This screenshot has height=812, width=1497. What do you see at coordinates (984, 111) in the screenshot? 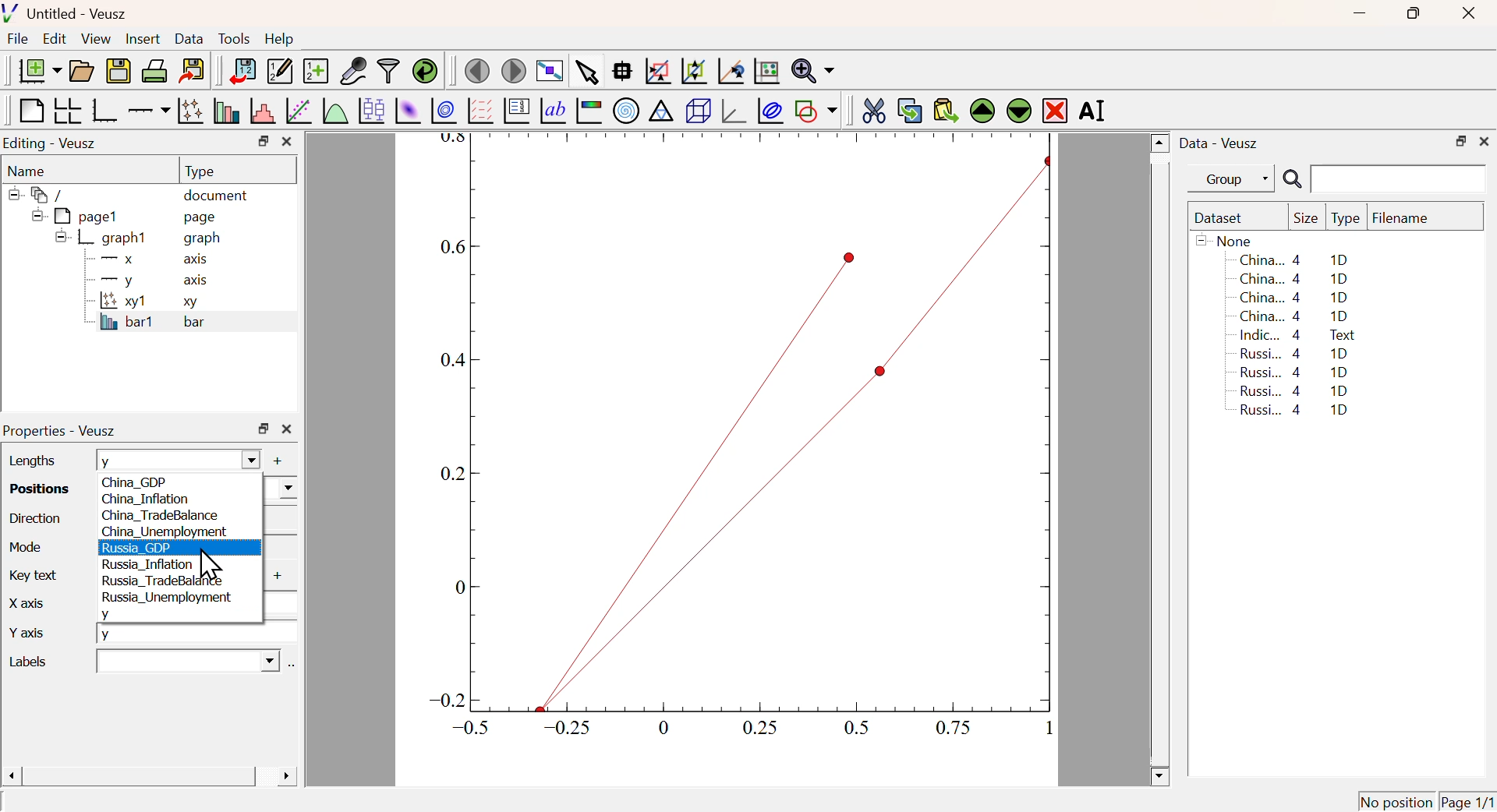
I see `Move Up` at bounding box center [984, 111].